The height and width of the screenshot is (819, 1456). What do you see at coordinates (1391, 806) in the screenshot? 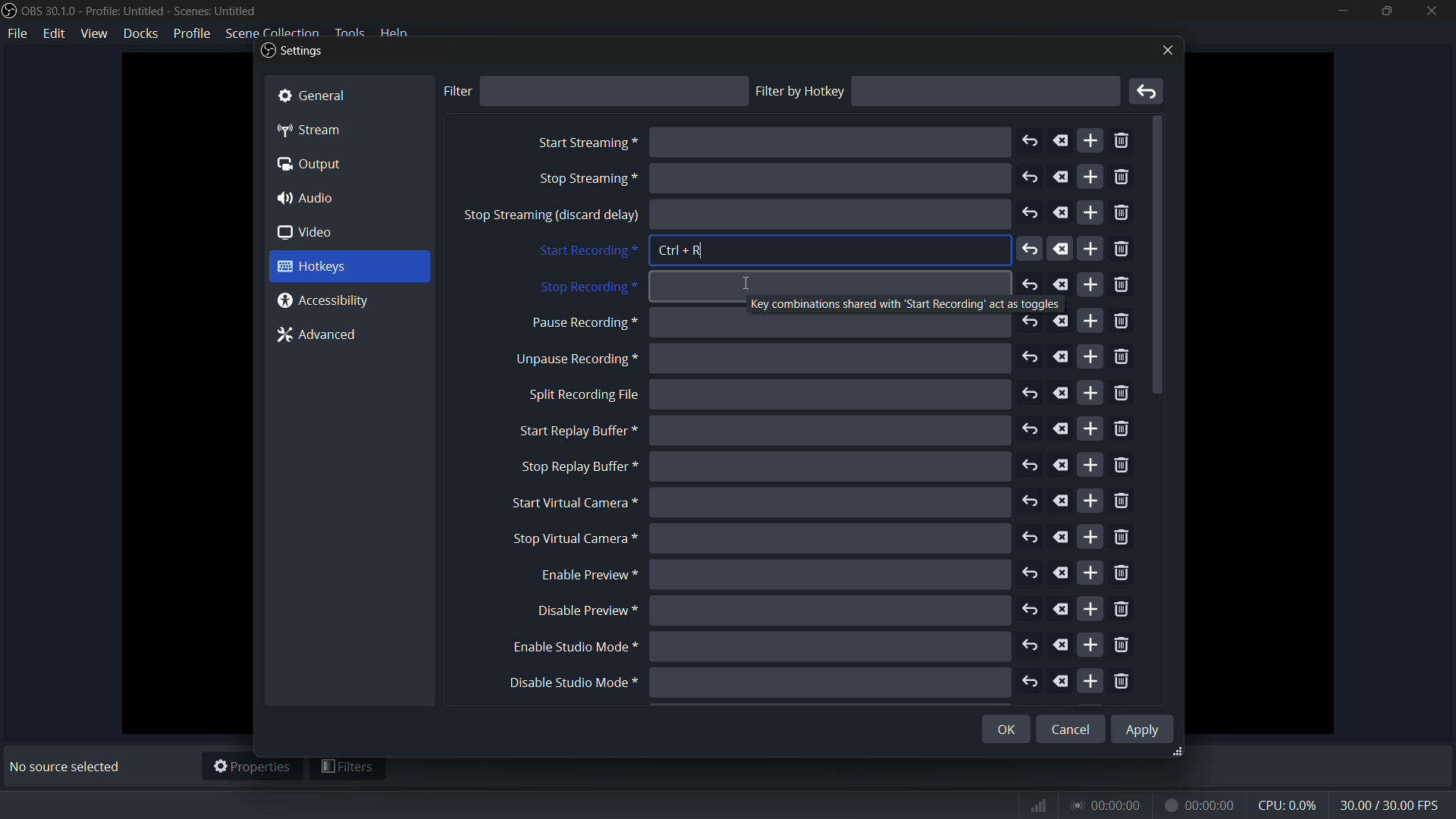
I see `fps` at bounding box center [1391, 806].